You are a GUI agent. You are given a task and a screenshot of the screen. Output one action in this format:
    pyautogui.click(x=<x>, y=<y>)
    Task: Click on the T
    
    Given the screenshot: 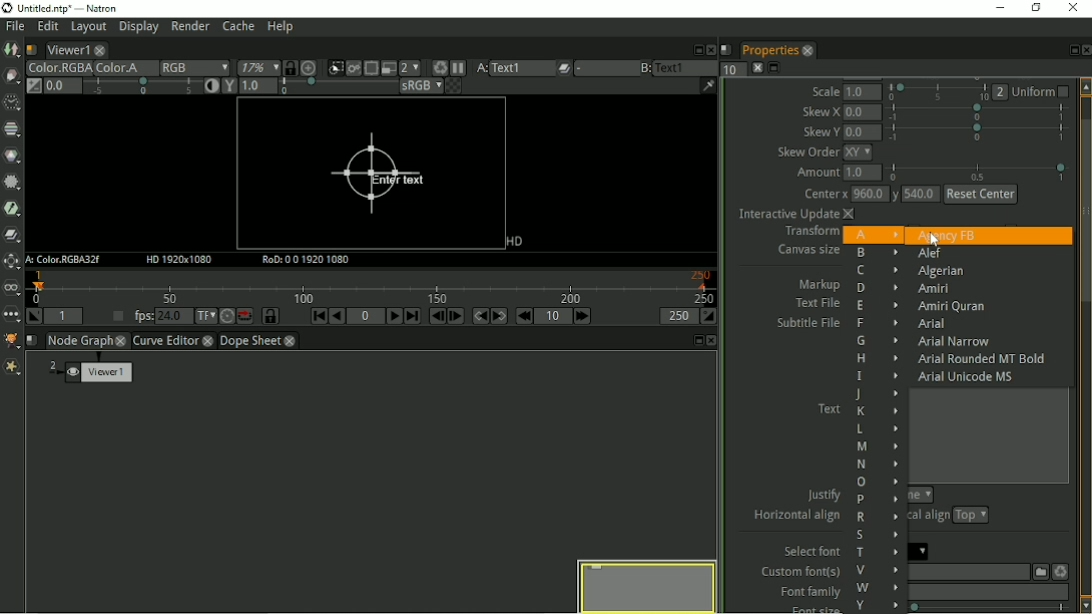 What is the action you would take?
    pyautogui.click(x=877, y=554)
    